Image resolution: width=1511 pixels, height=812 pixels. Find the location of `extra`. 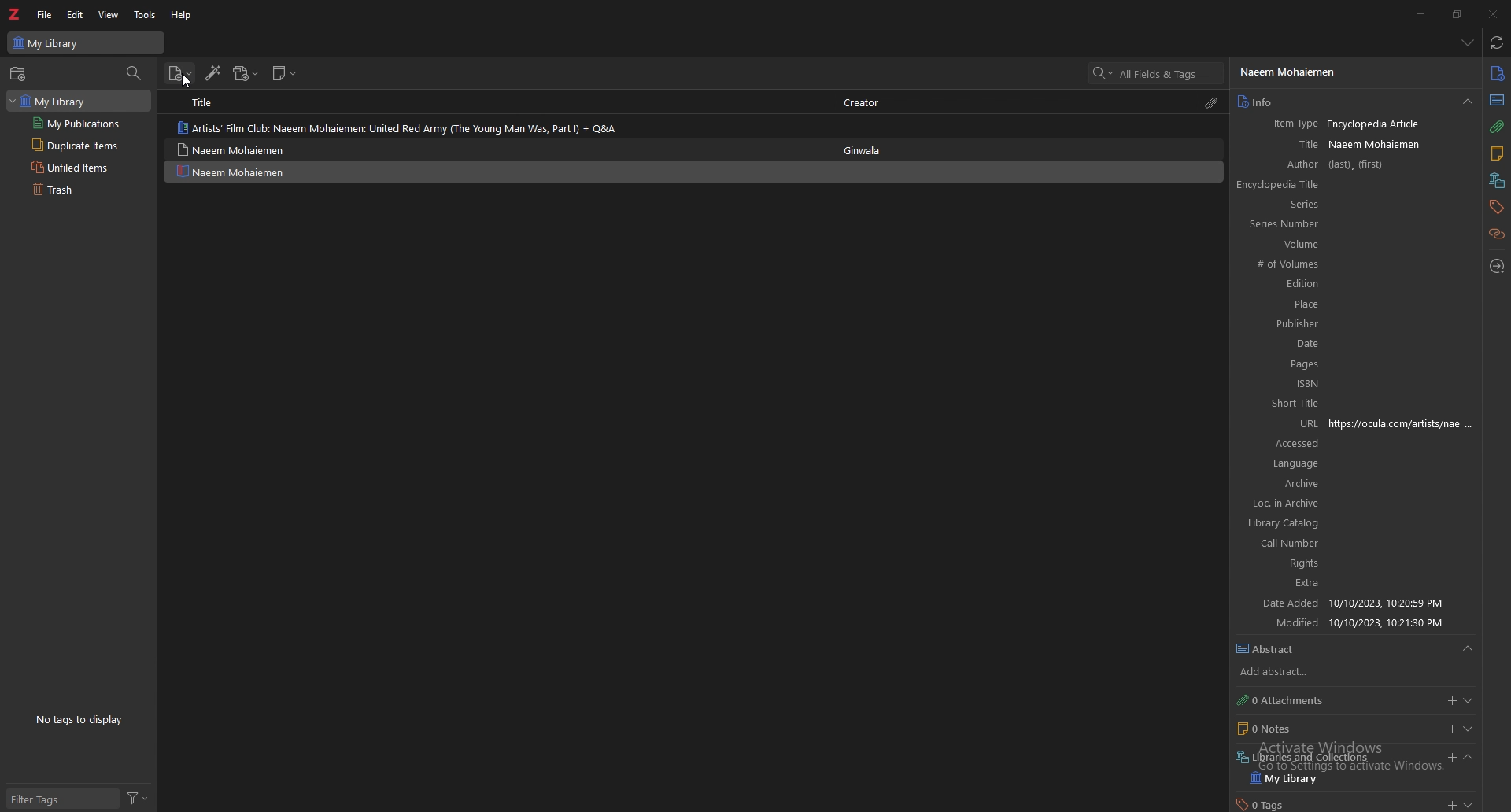

extra is located at coordinates (1280, 582).